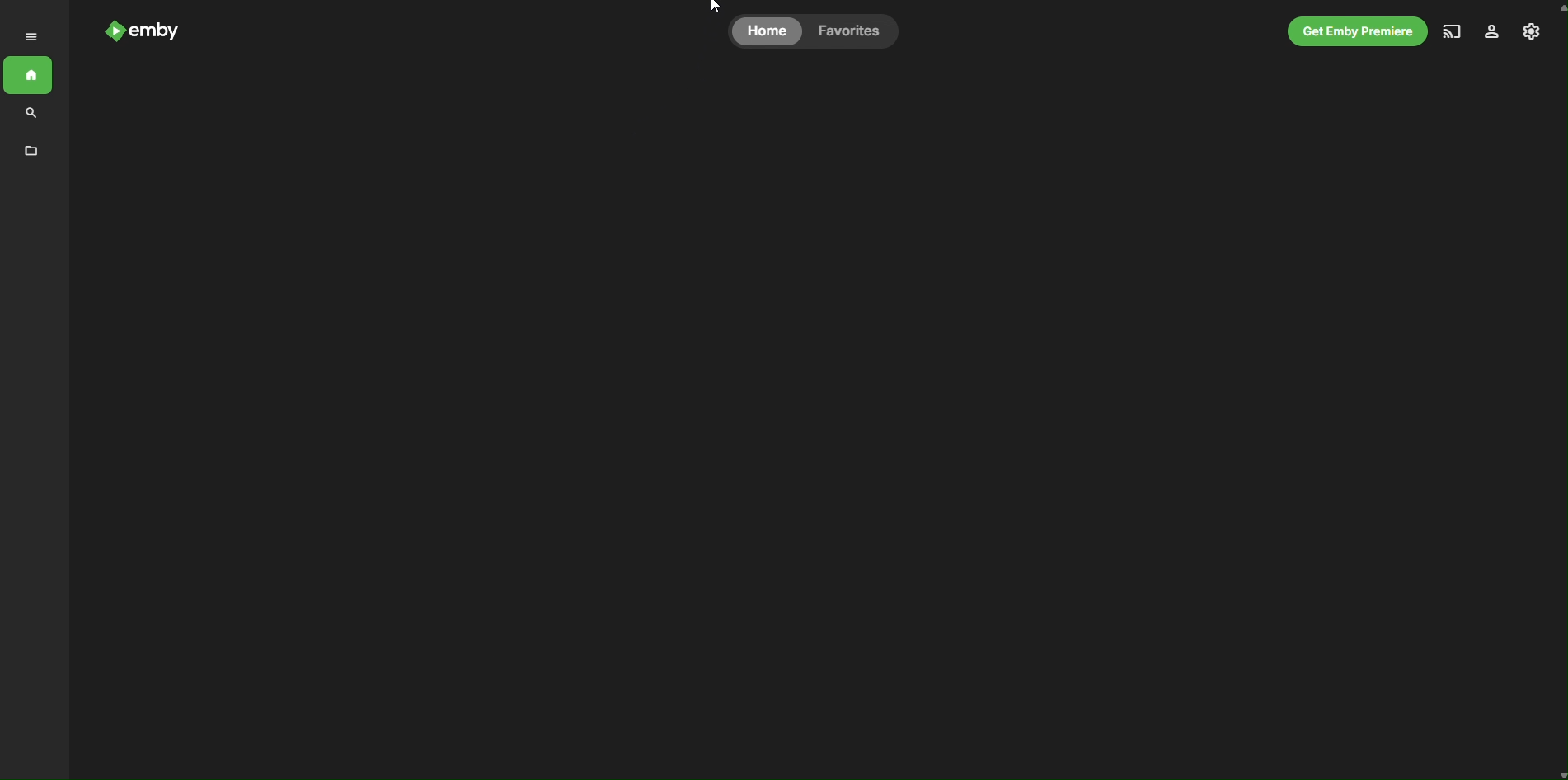 This screenshot has height=780, width=1568. I want to click on favorites, so click(848, 32).